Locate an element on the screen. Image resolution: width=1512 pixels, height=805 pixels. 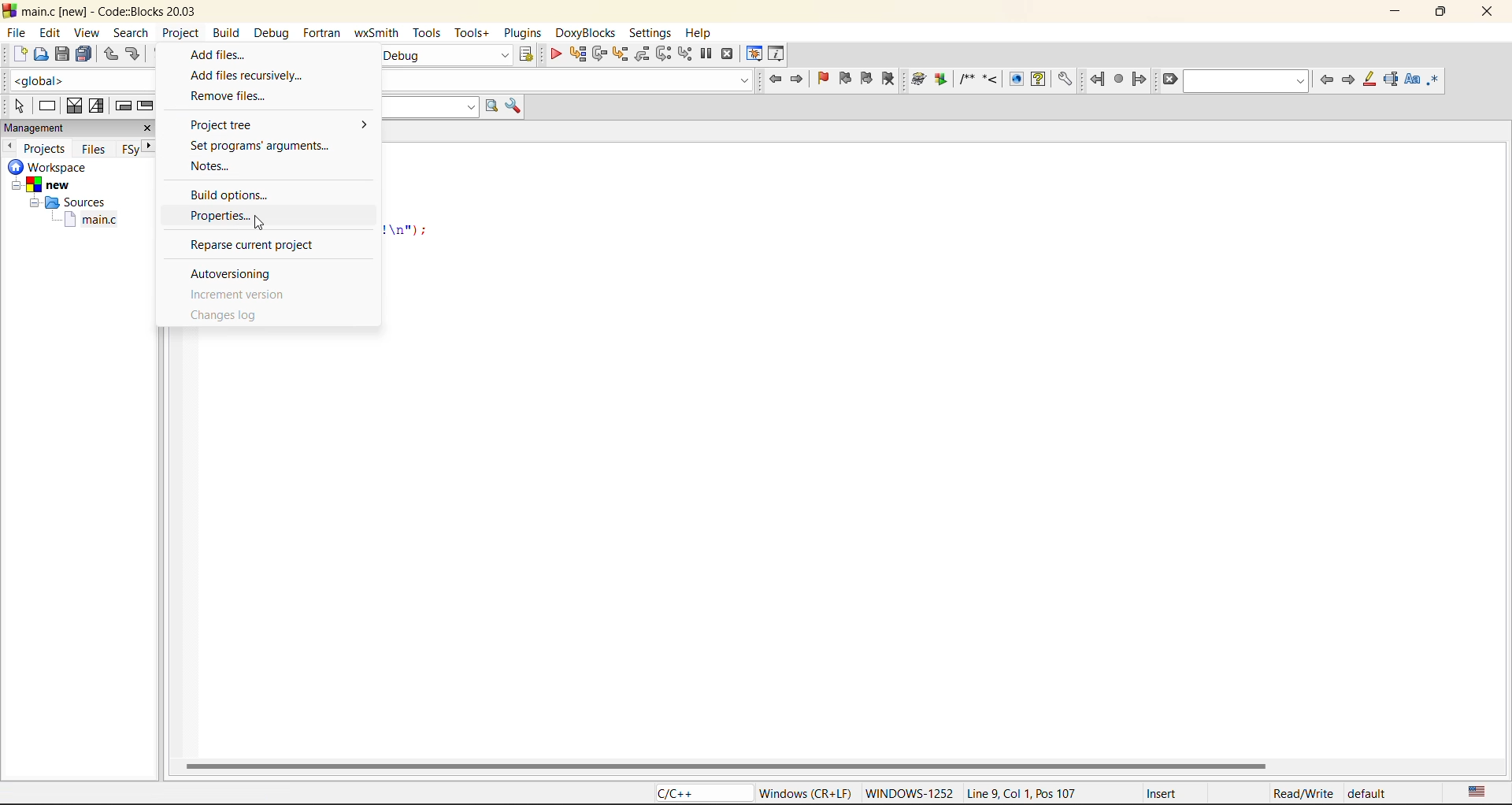
step out is located at coordinates (643, 54).